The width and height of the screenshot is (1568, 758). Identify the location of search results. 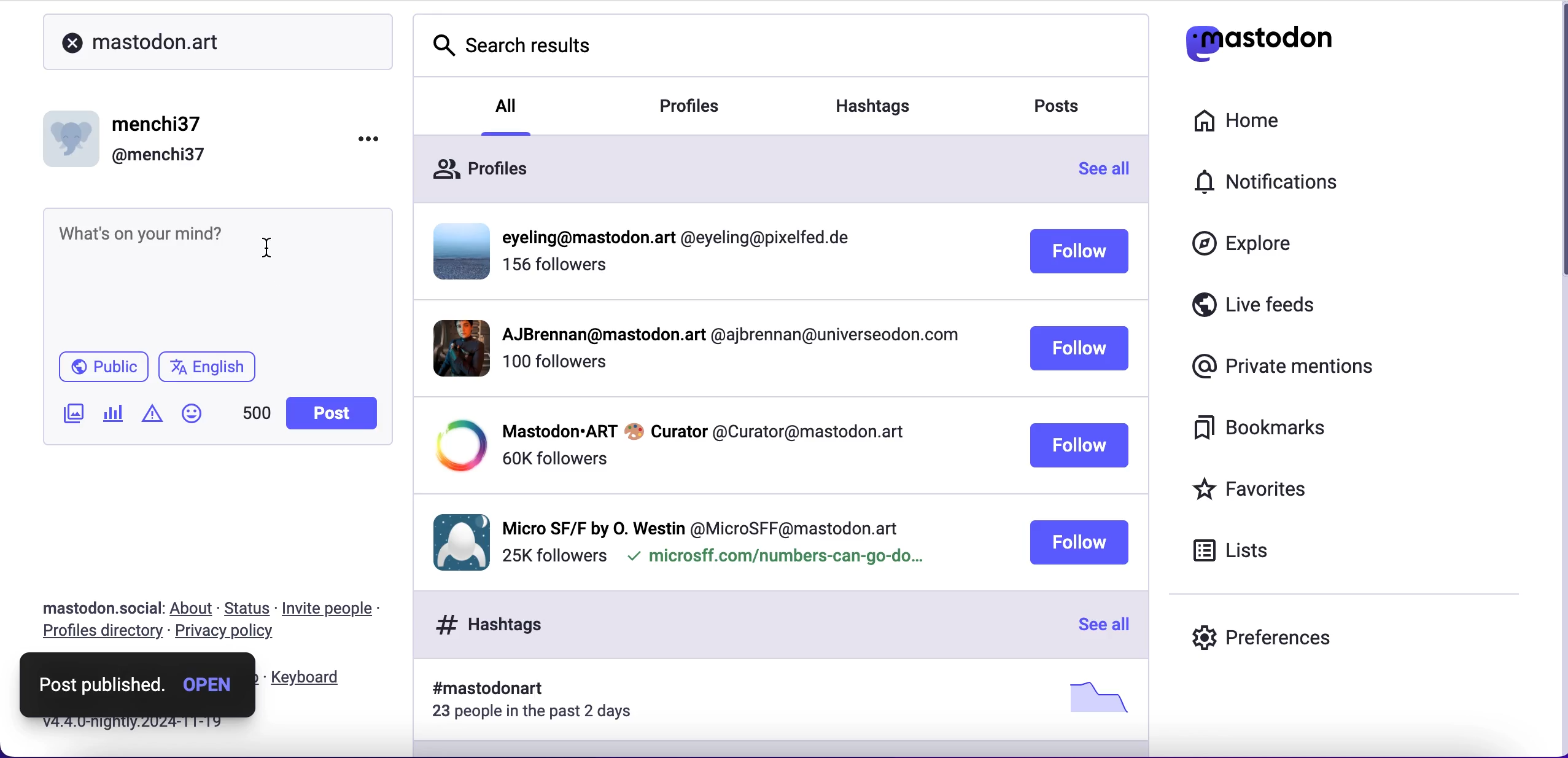
(514, 42).